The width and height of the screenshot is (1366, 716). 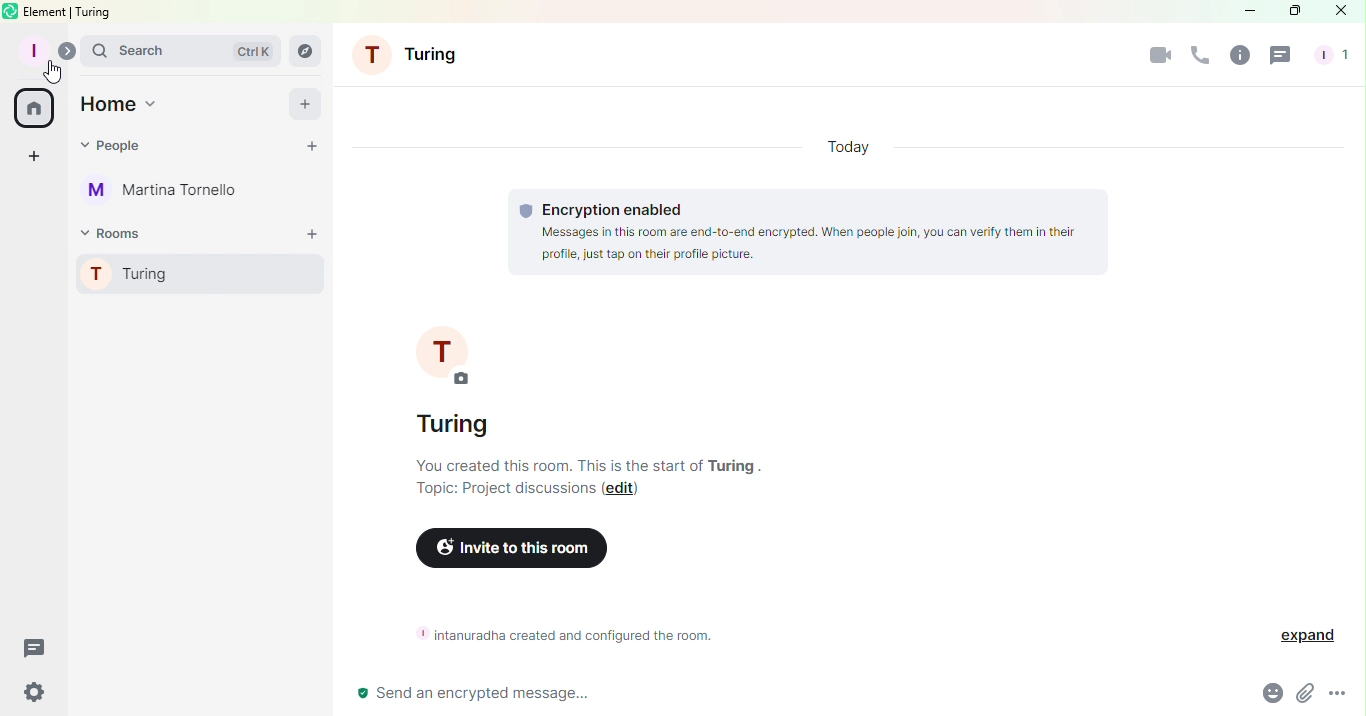 What do you see at coordinates (455, 423) in the screenshot?
I see `turing` at bounding box center [455, 423].